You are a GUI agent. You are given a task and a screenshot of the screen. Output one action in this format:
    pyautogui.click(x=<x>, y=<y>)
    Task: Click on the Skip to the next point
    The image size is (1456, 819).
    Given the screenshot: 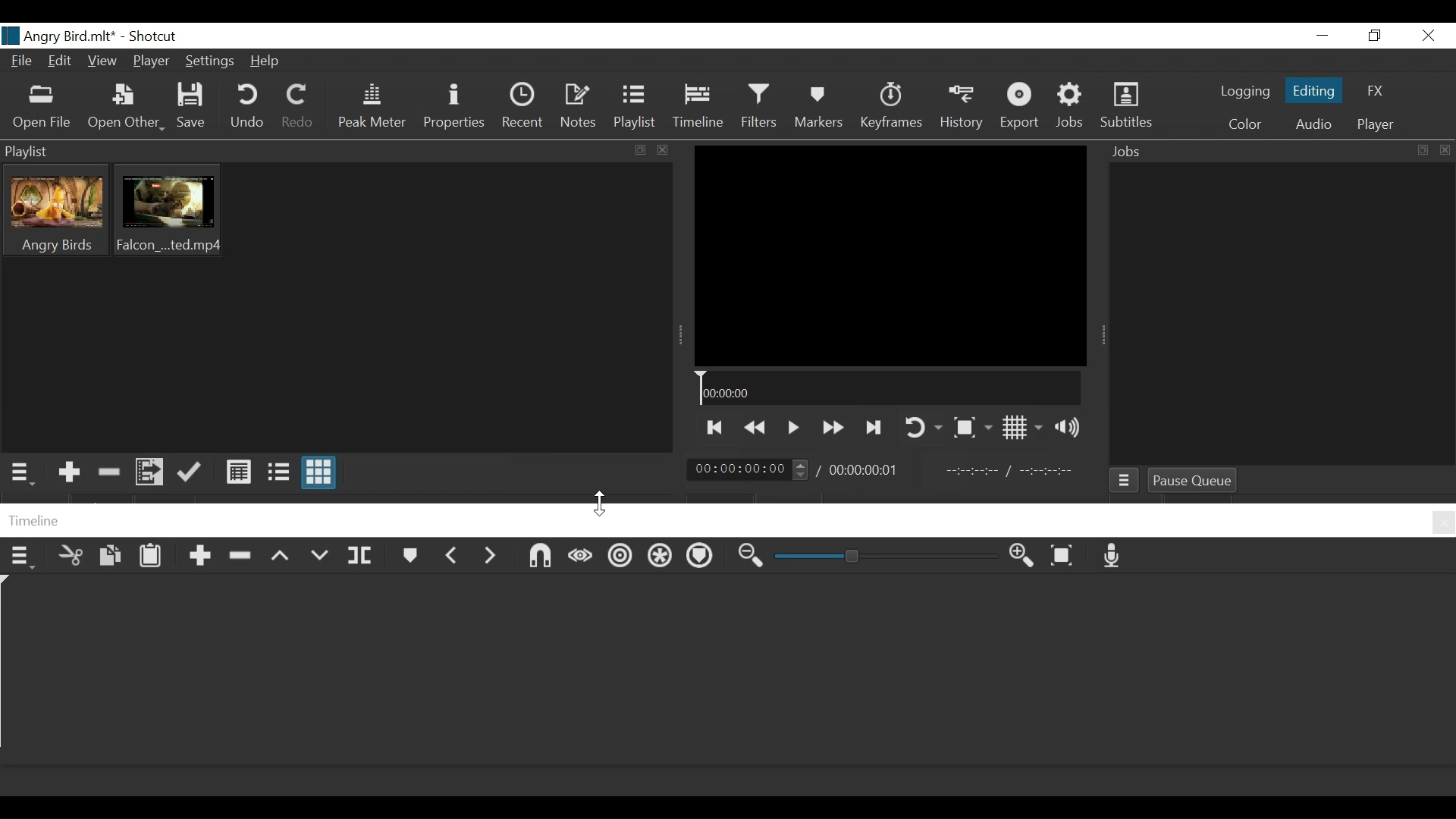 What is the action you would take?
    pyautogui.click(x=874, y=426)
    